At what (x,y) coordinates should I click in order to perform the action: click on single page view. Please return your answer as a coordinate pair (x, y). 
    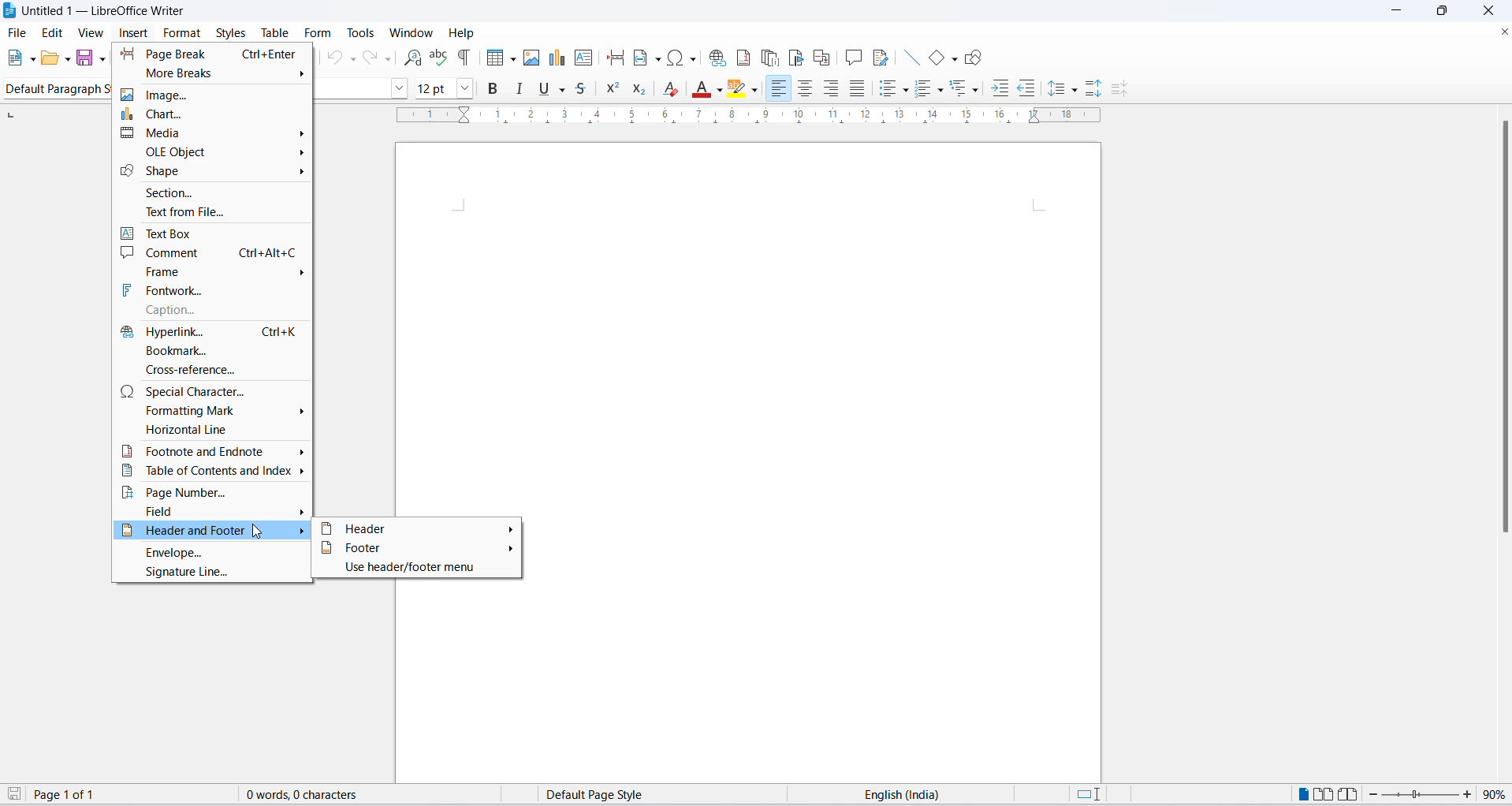
    Looking at the image, I should click on (1301, 794).